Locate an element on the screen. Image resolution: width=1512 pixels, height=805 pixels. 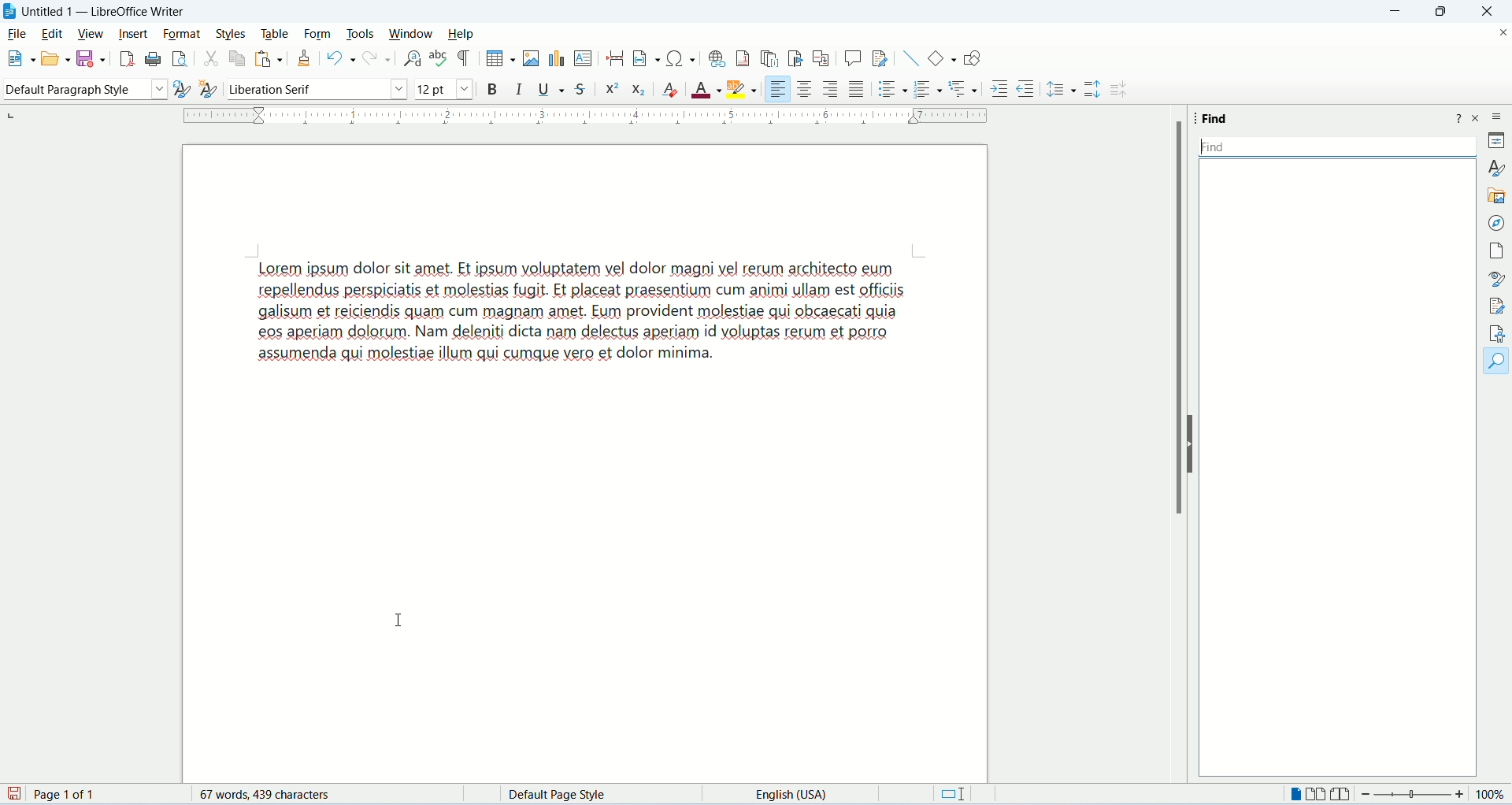
CURSOR is located at coordinates (1204, 148).